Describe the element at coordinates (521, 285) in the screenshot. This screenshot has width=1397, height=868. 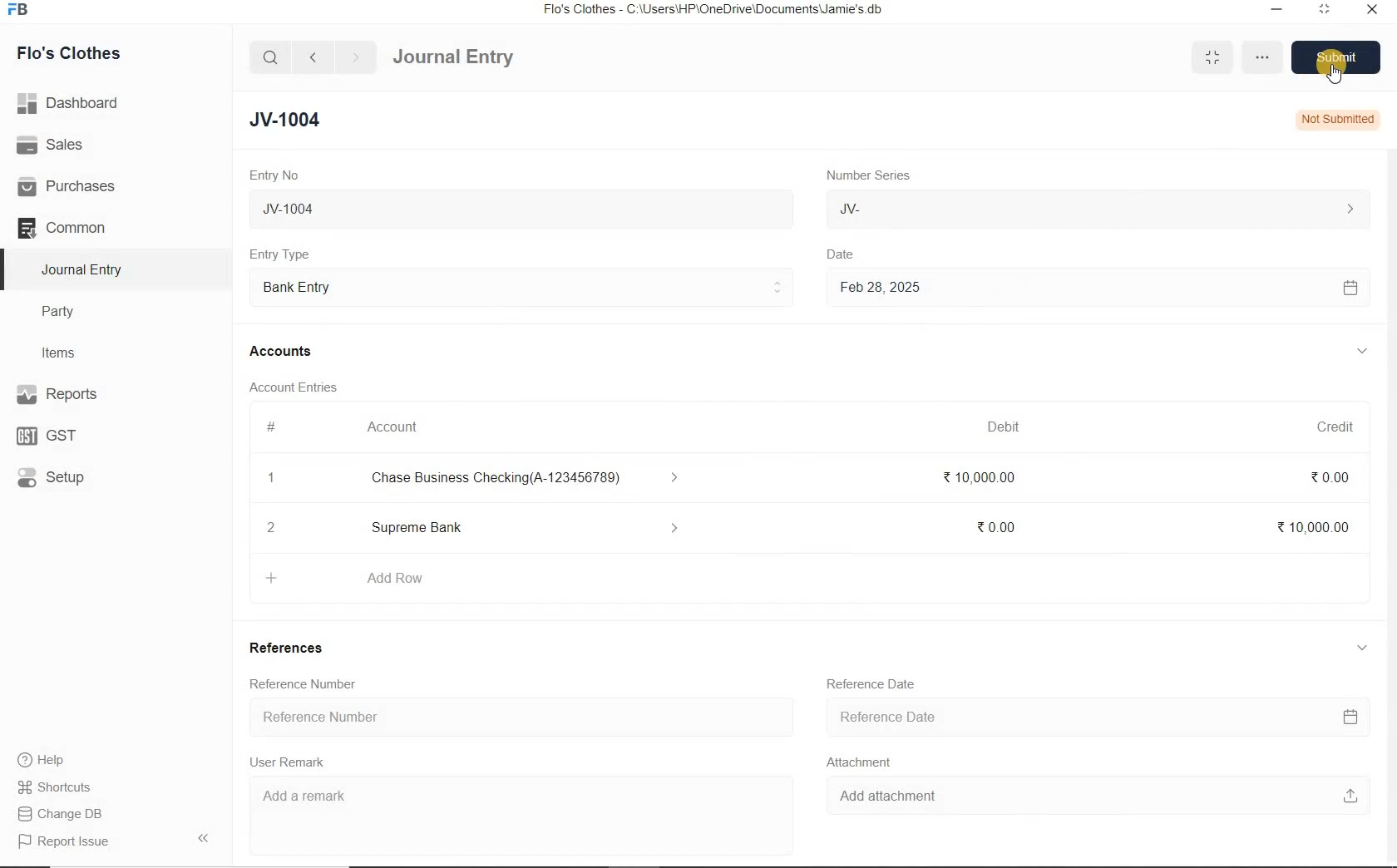
I see `Entry Type` at that location.